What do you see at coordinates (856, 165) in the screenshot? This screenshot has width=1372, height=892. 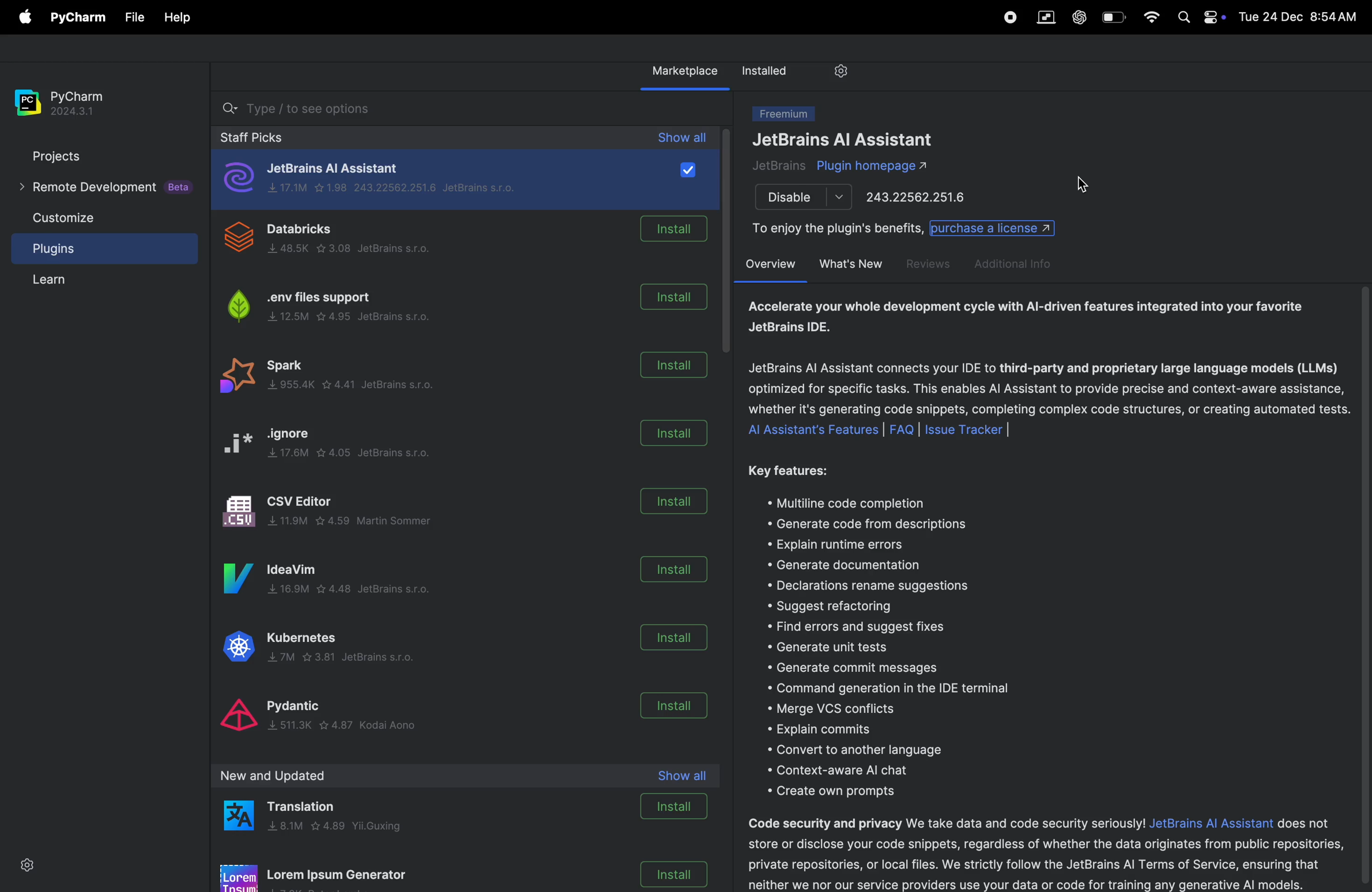 I see `plugins ai ` at bounding box center [856, 165].